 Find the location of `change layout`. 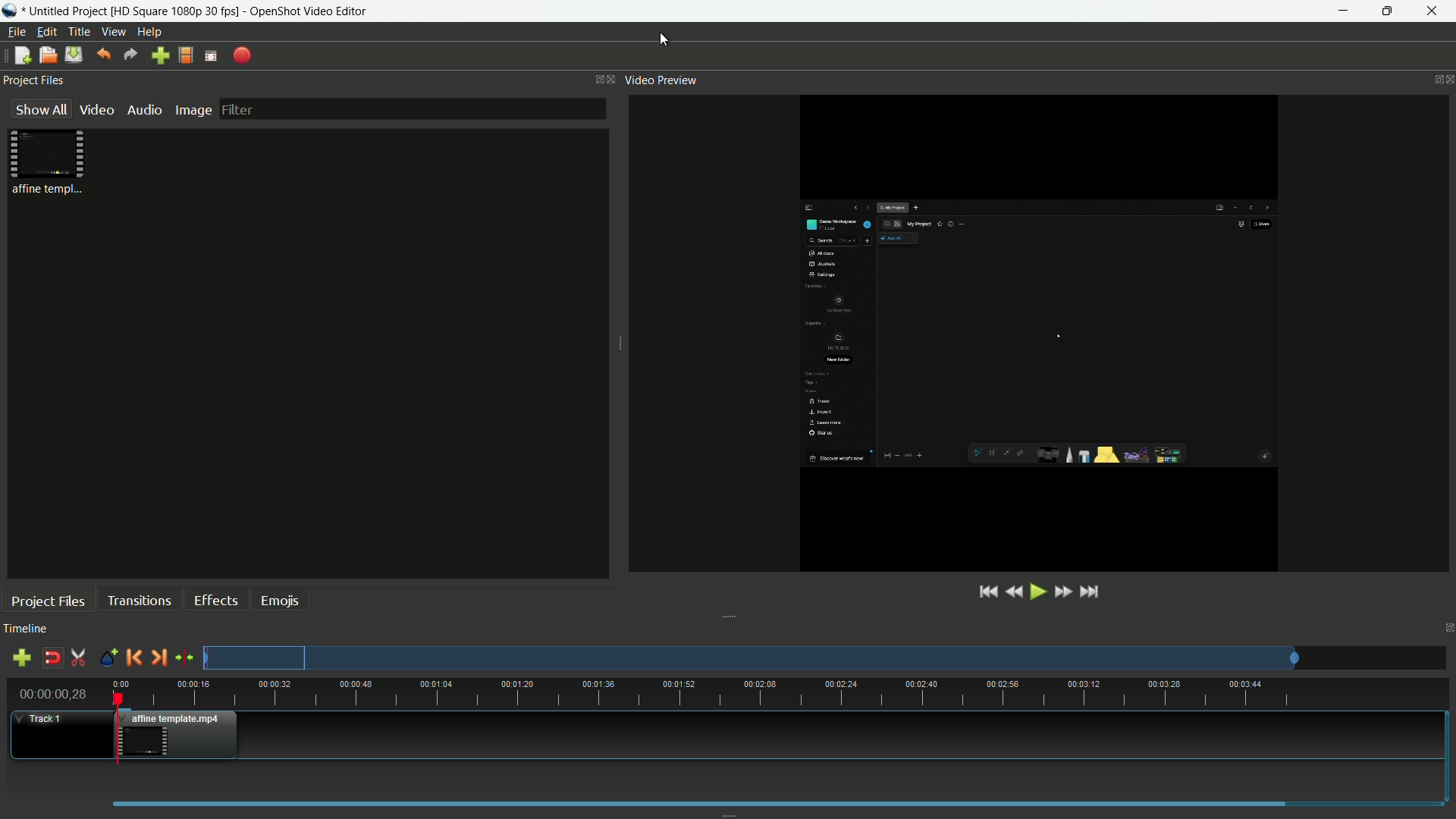

change layout is located at coordinates (594, 78).